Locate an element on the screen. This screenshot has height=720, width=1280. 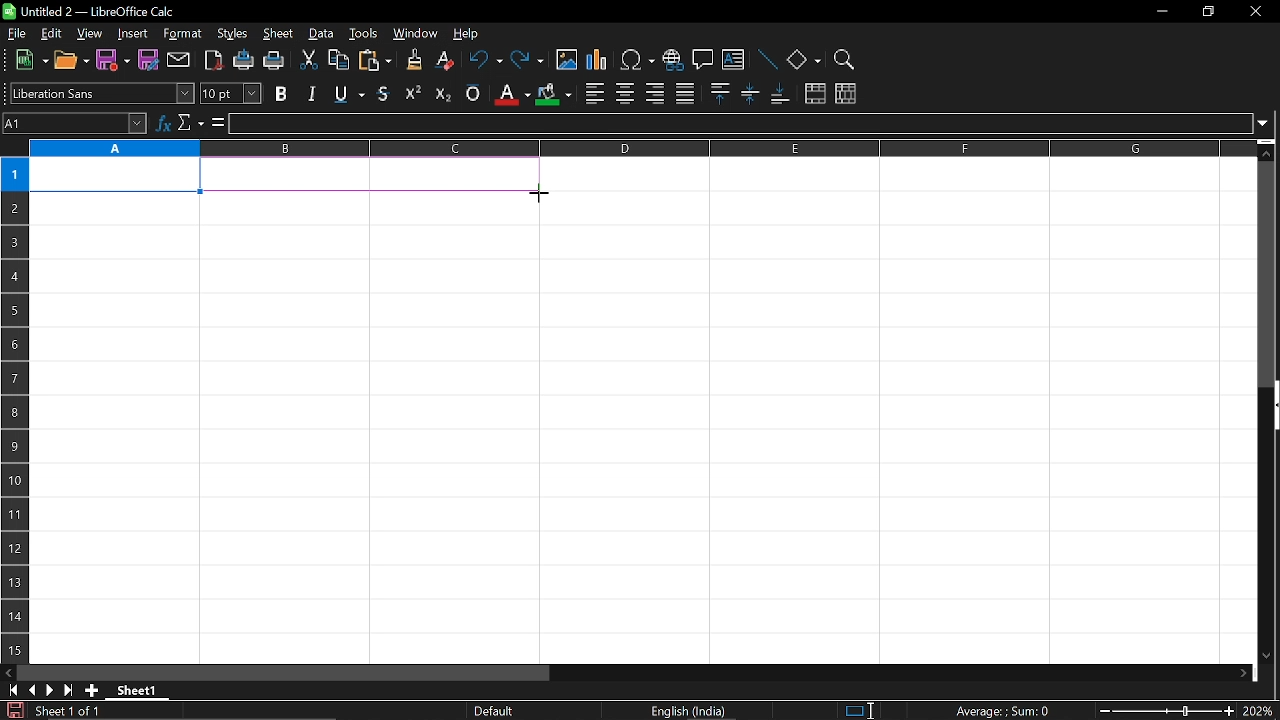
insert hyperlink is located at coordinates (672, 58).